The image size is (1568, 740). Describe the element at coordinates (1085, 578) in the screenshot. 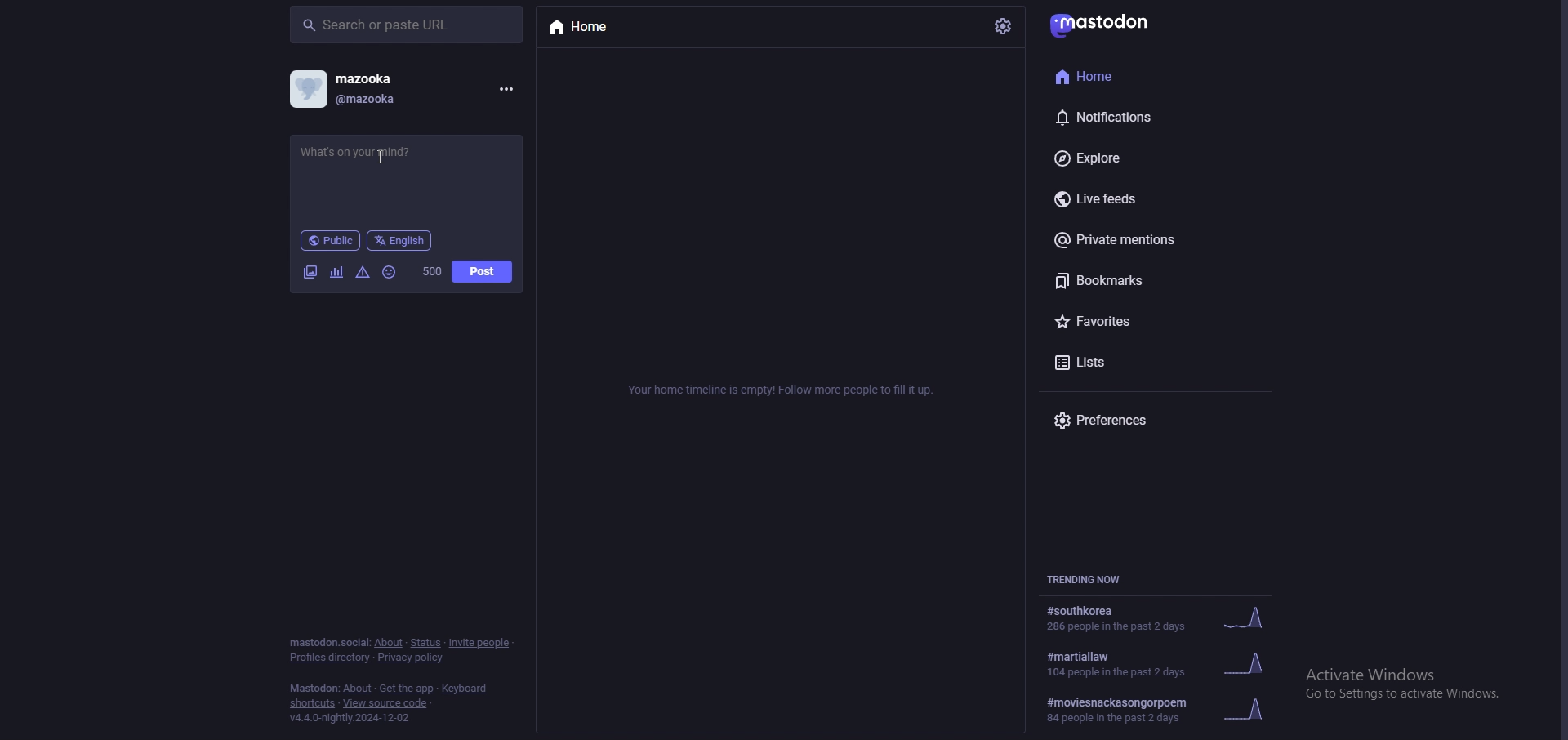

I see `trending now` at that location.